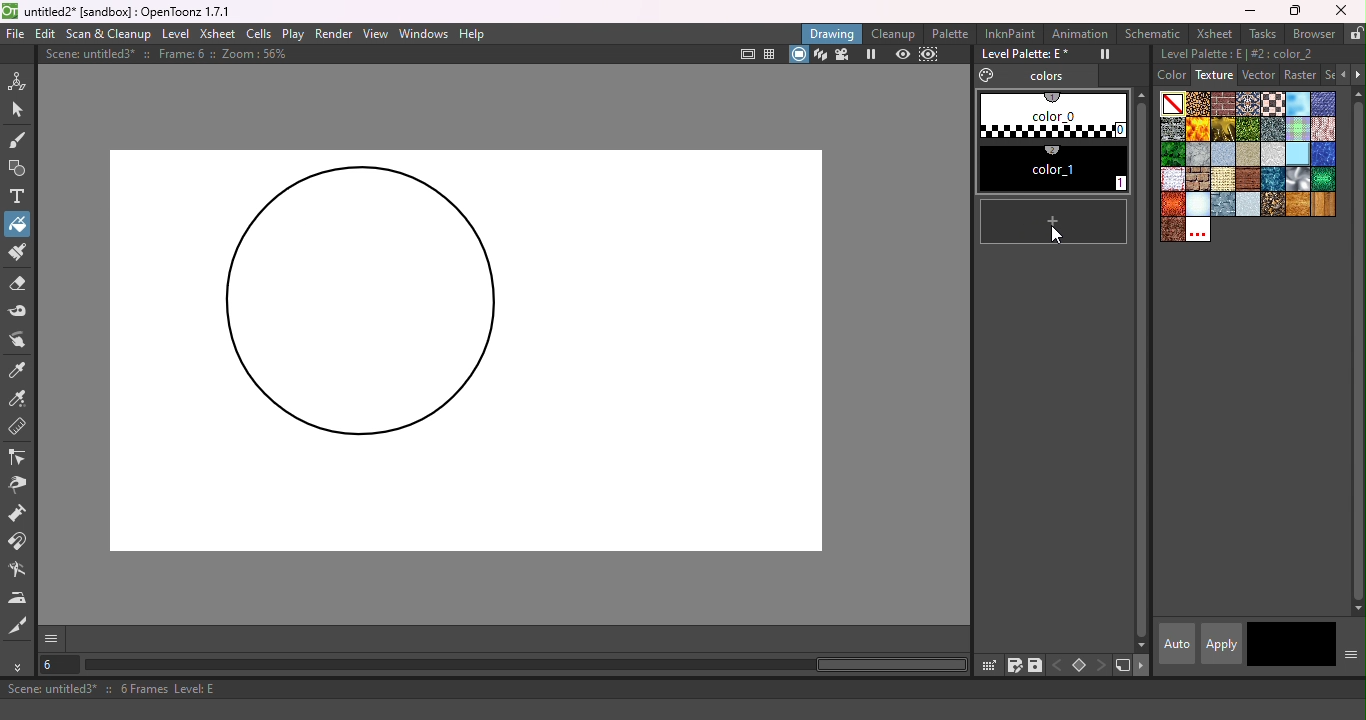 This screenshot has width=1366, height=720. I want to click on View, so click(376, 33).